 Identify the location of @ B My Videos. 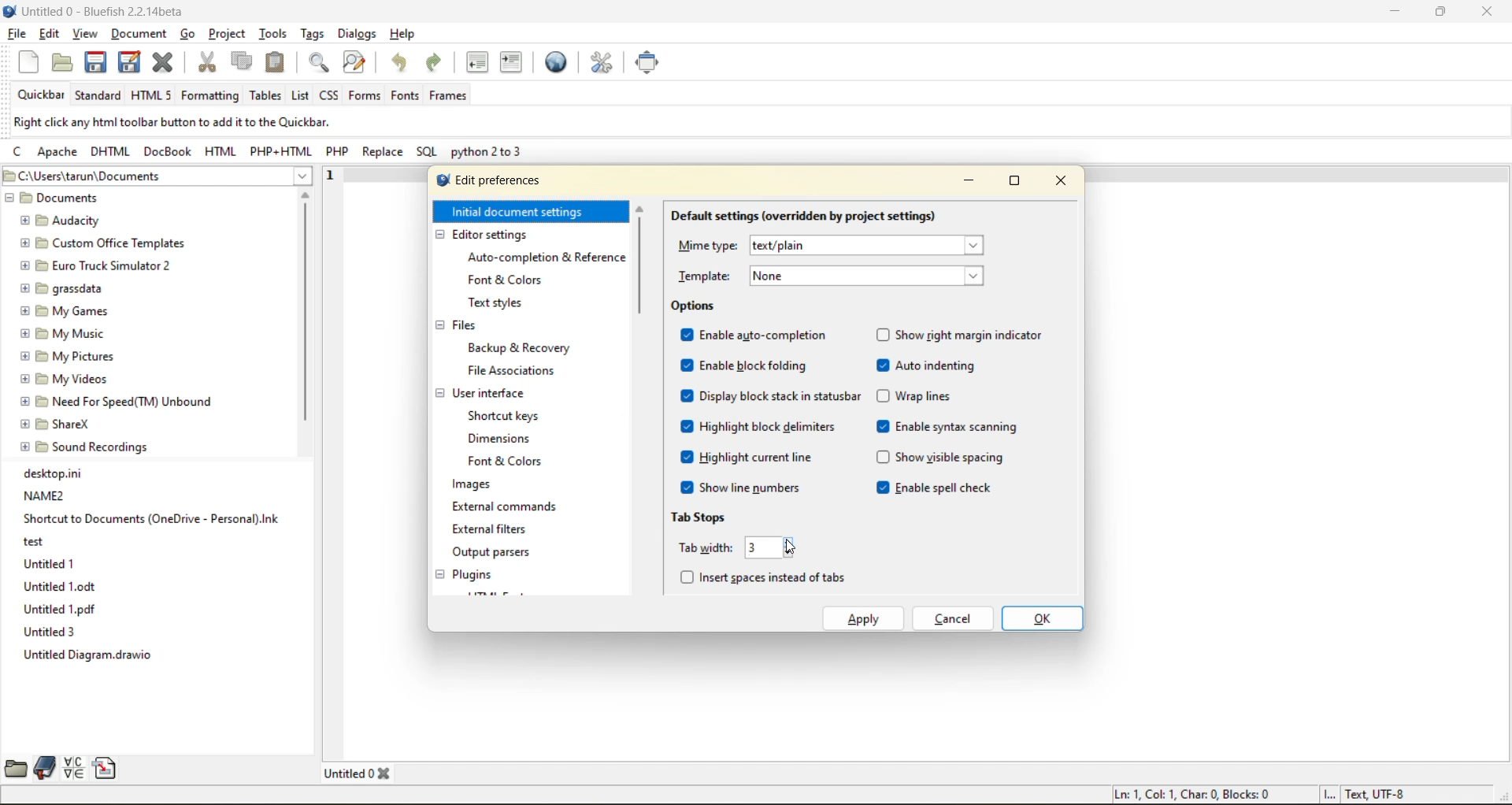
(65, 377).